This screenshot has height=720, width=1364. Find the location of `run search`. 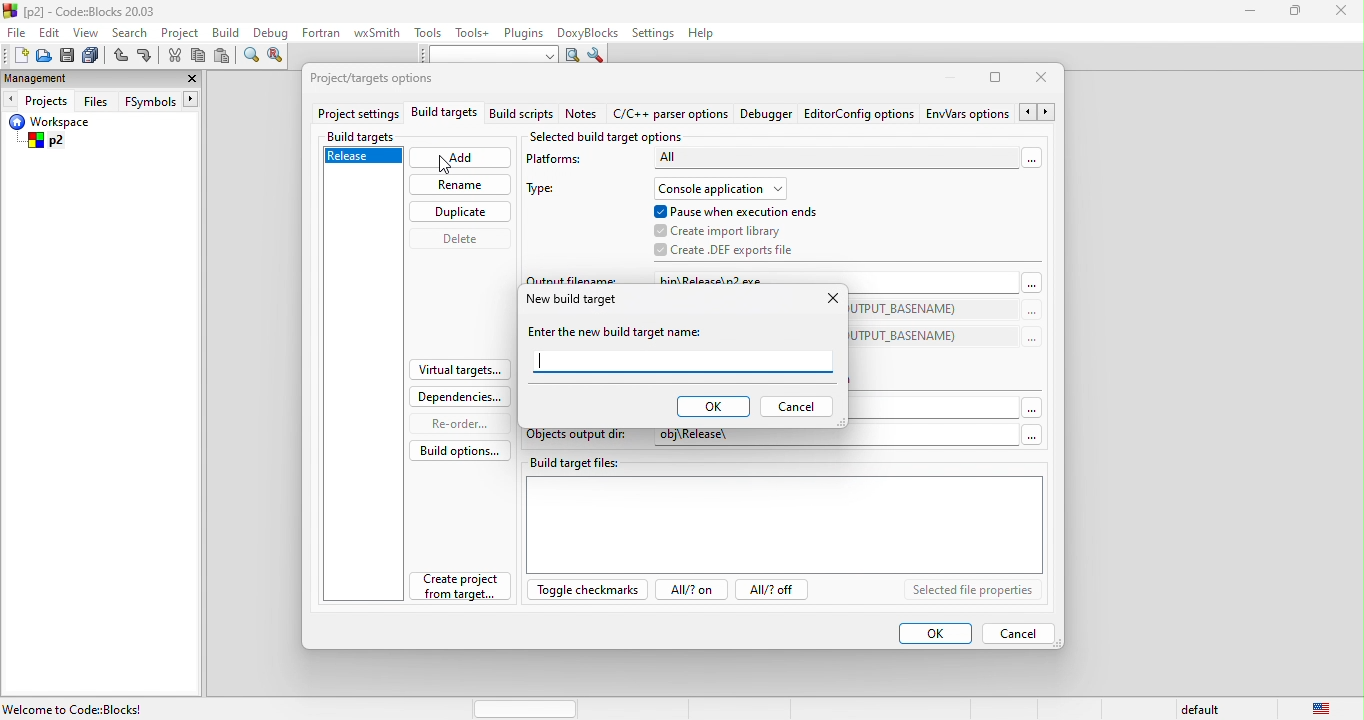

run search is located at coordinates (571, 55).